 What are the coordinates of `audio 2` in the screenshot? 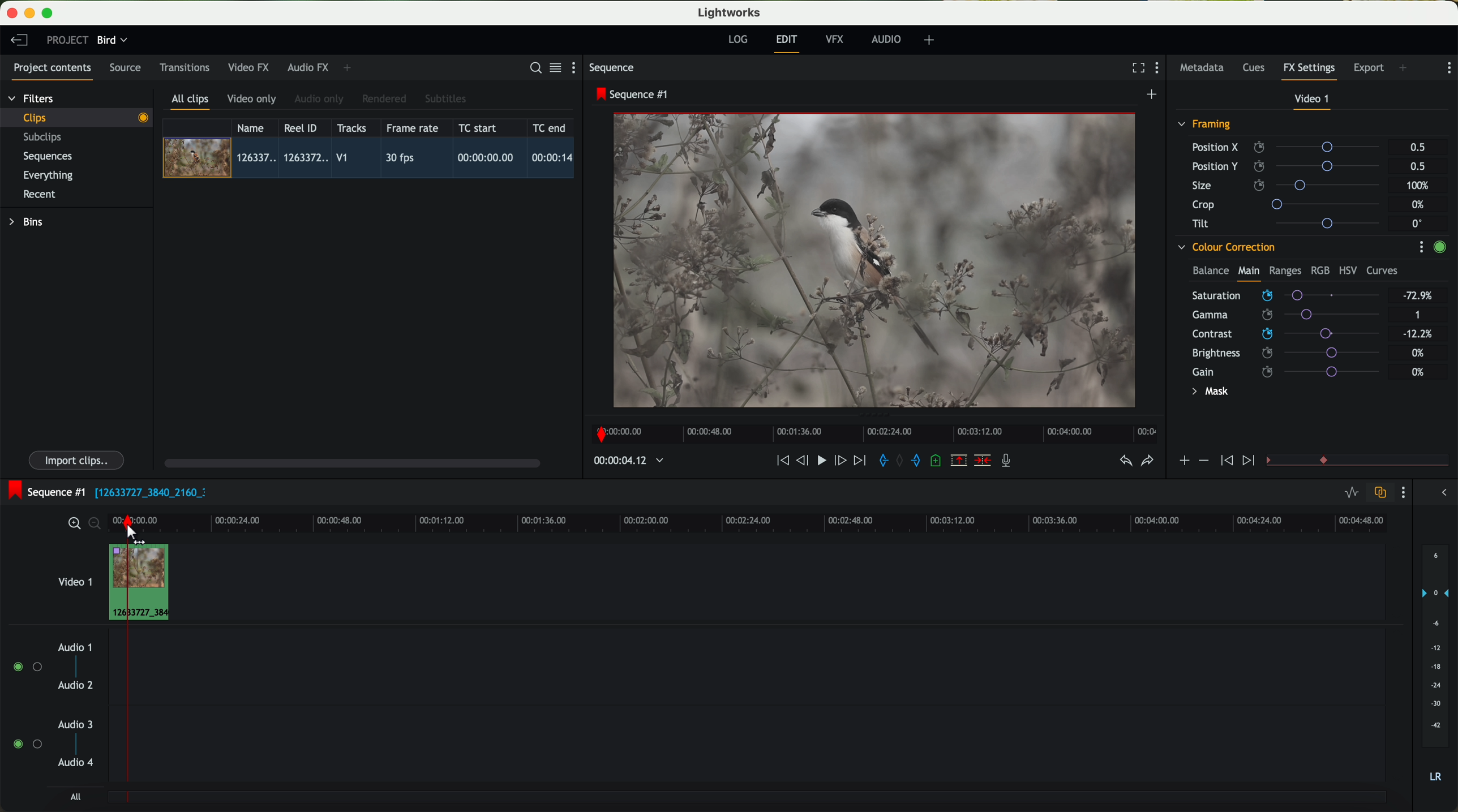 It's located at (76, 686).